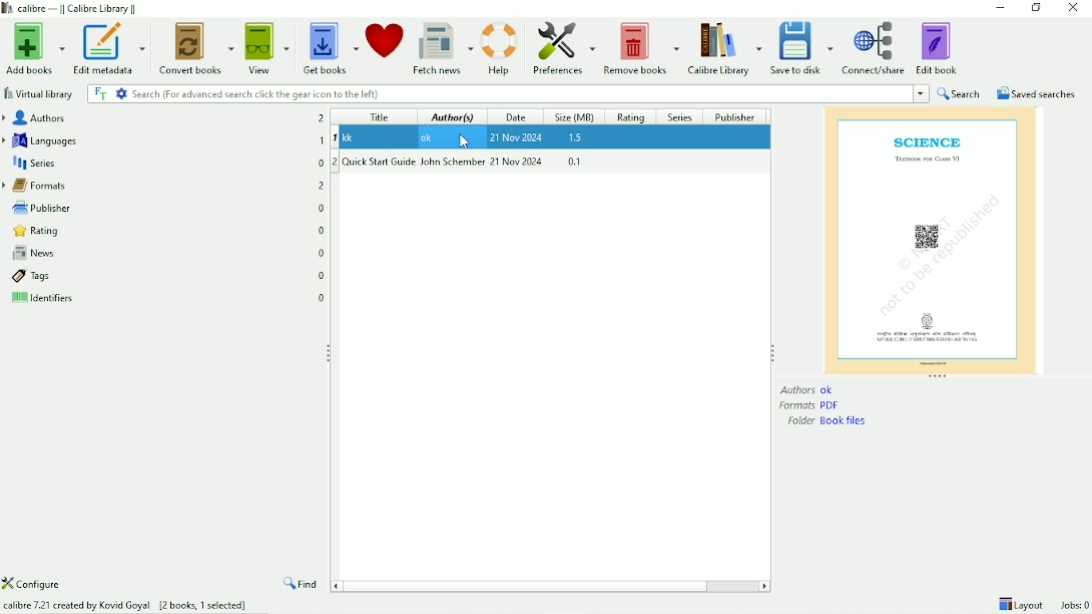  I want to click on Fetch news, so click(443, 50).